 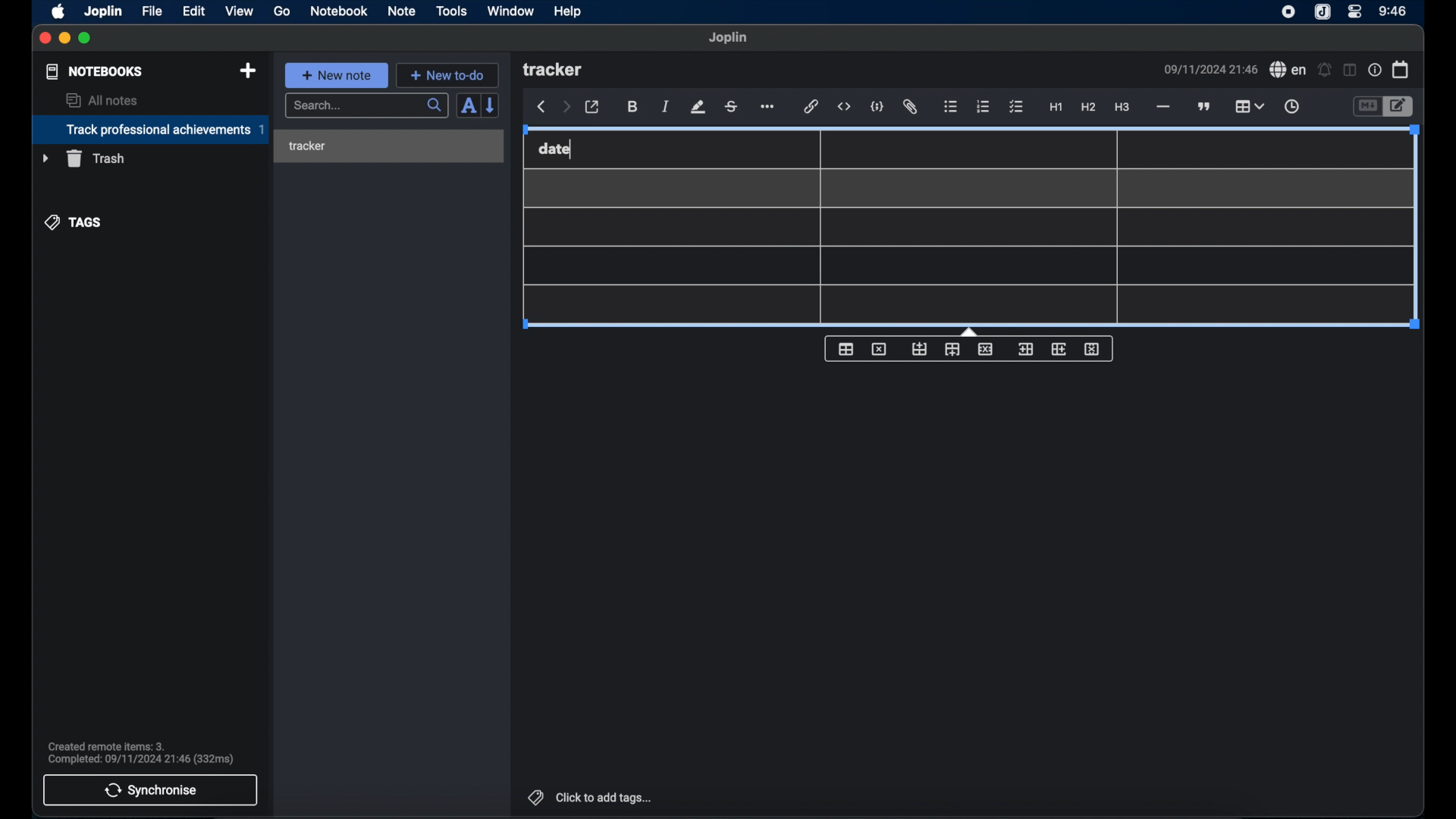 What do you see at coordinates (698, 107) in the screenshot?
I see `highlight` at bounding box center [698, 107].